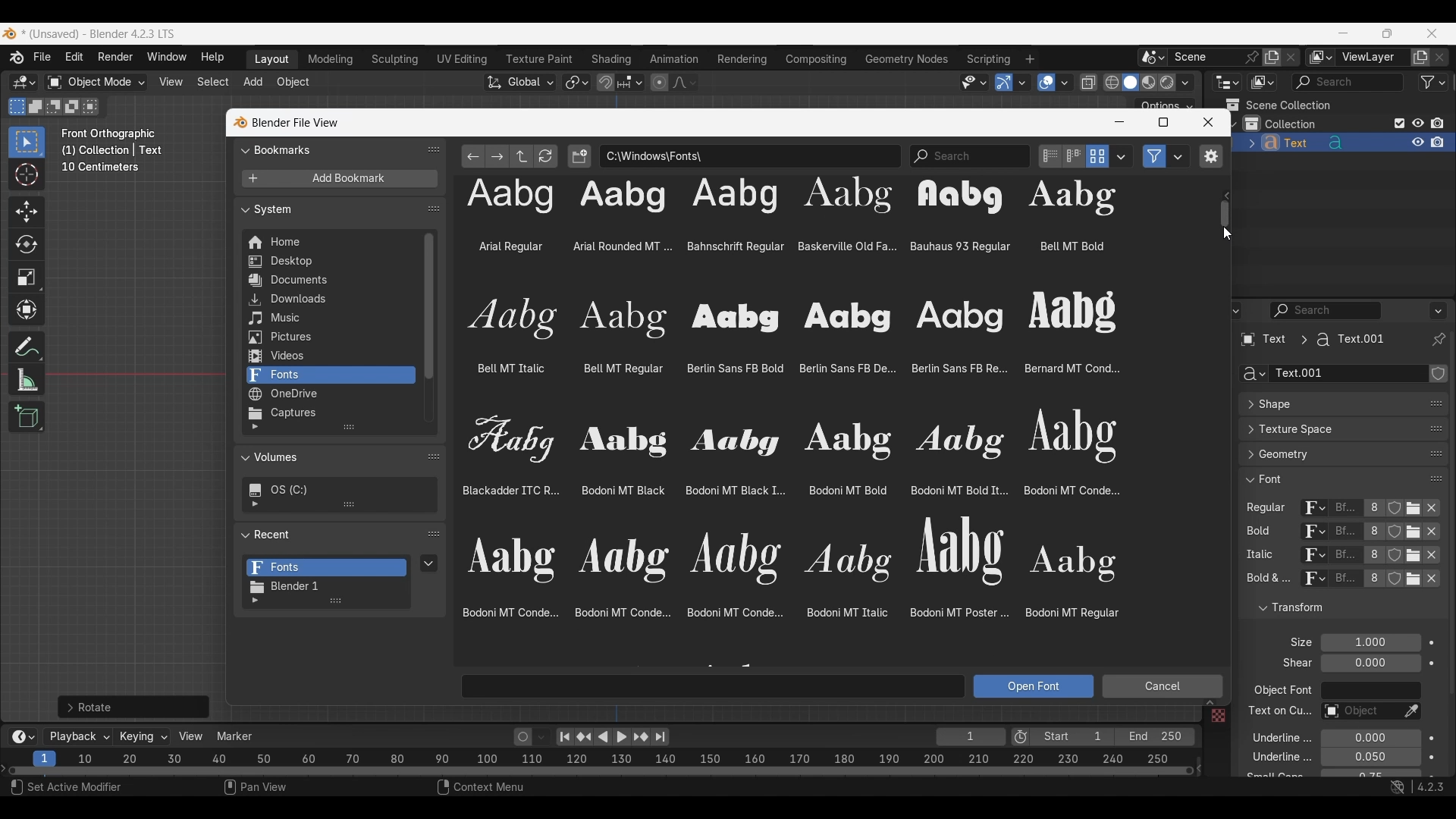  Describe the element at coordinates (606, 82) in the screenshot. I see `Snap during transform` at that location.